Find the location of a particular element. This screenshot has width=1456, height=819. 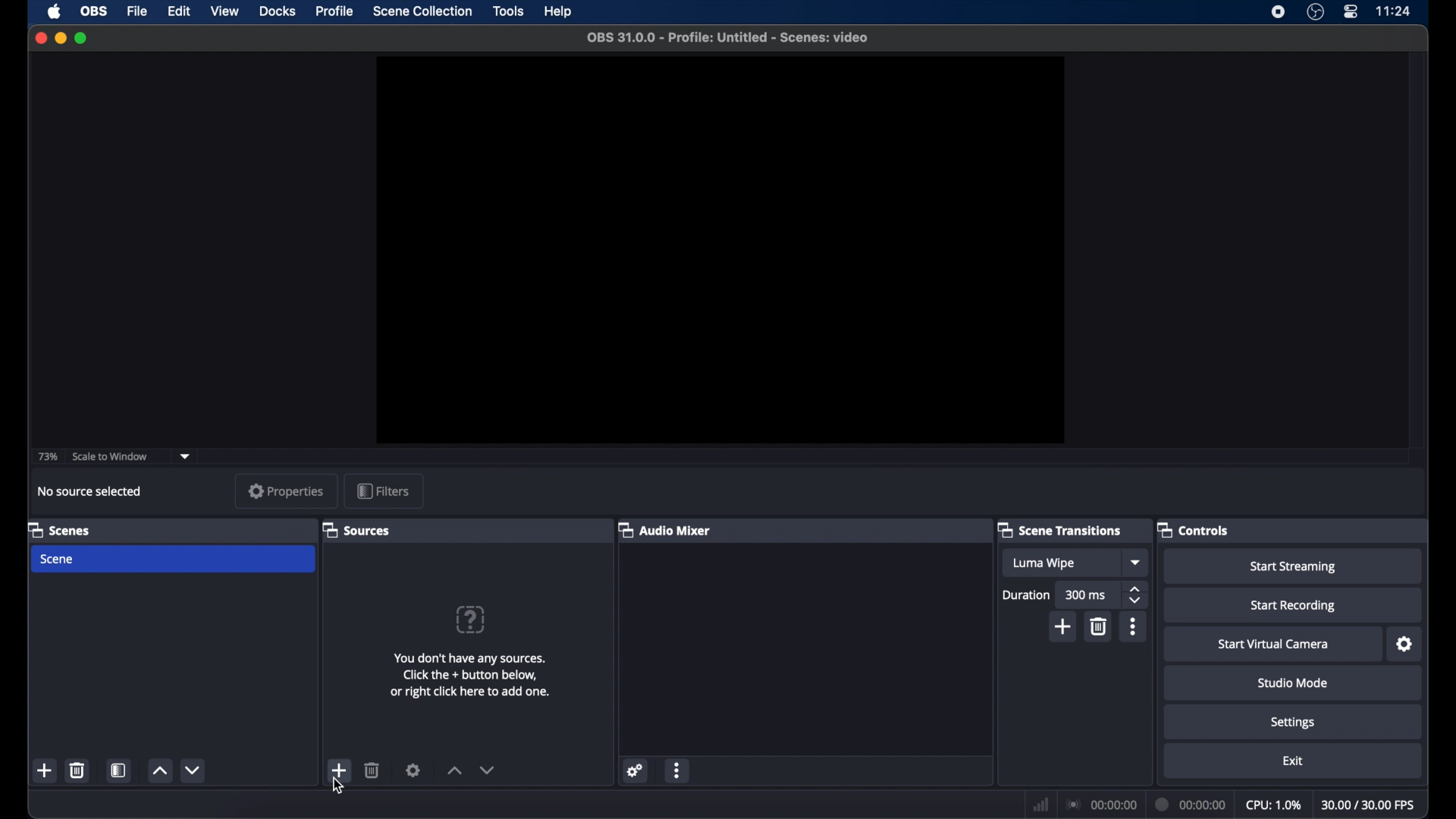

tools is located at coordinates (509, 11).